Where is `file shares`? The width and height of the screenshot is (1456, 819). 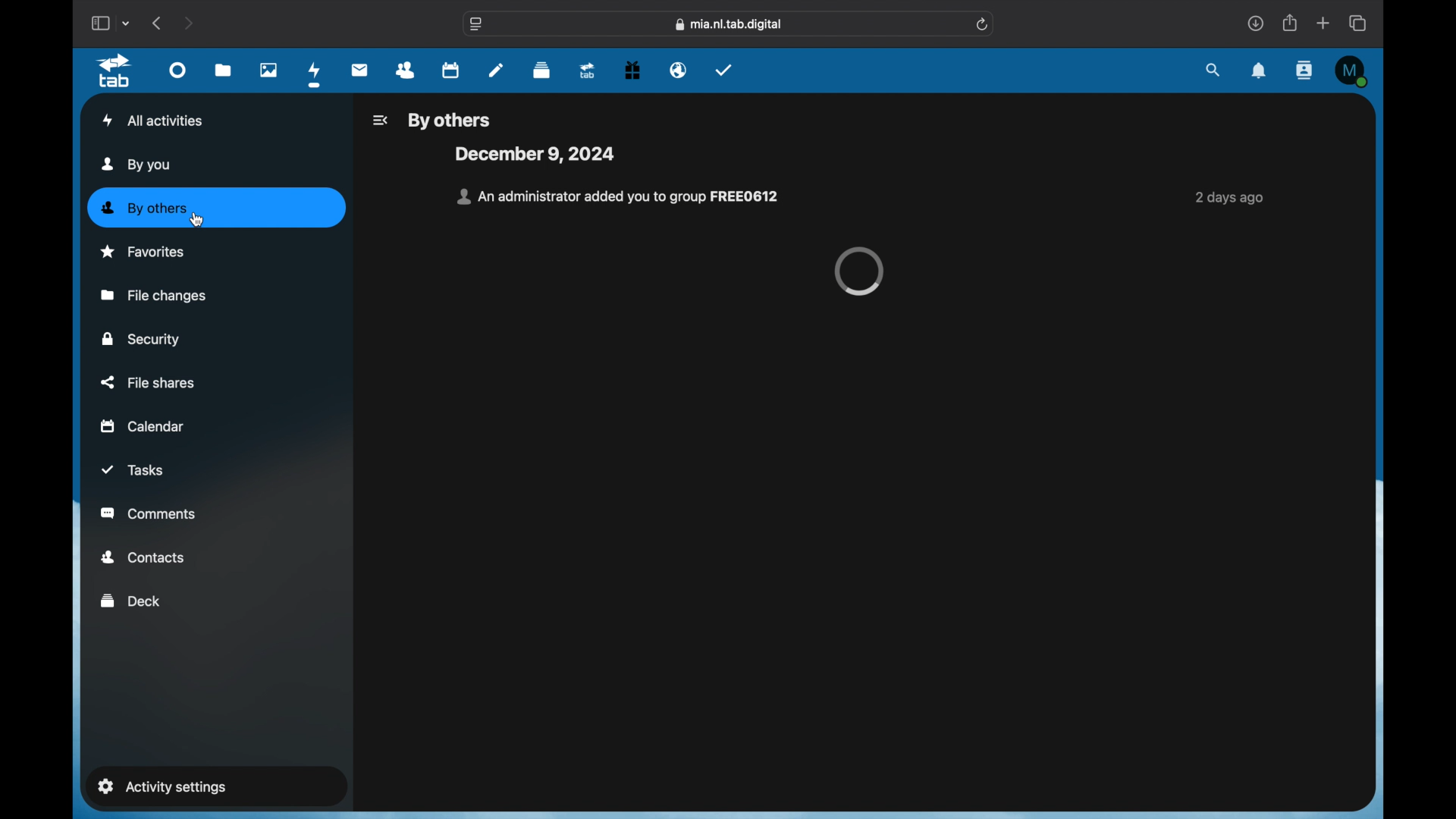 file shares is located at coordinates (149, 383).